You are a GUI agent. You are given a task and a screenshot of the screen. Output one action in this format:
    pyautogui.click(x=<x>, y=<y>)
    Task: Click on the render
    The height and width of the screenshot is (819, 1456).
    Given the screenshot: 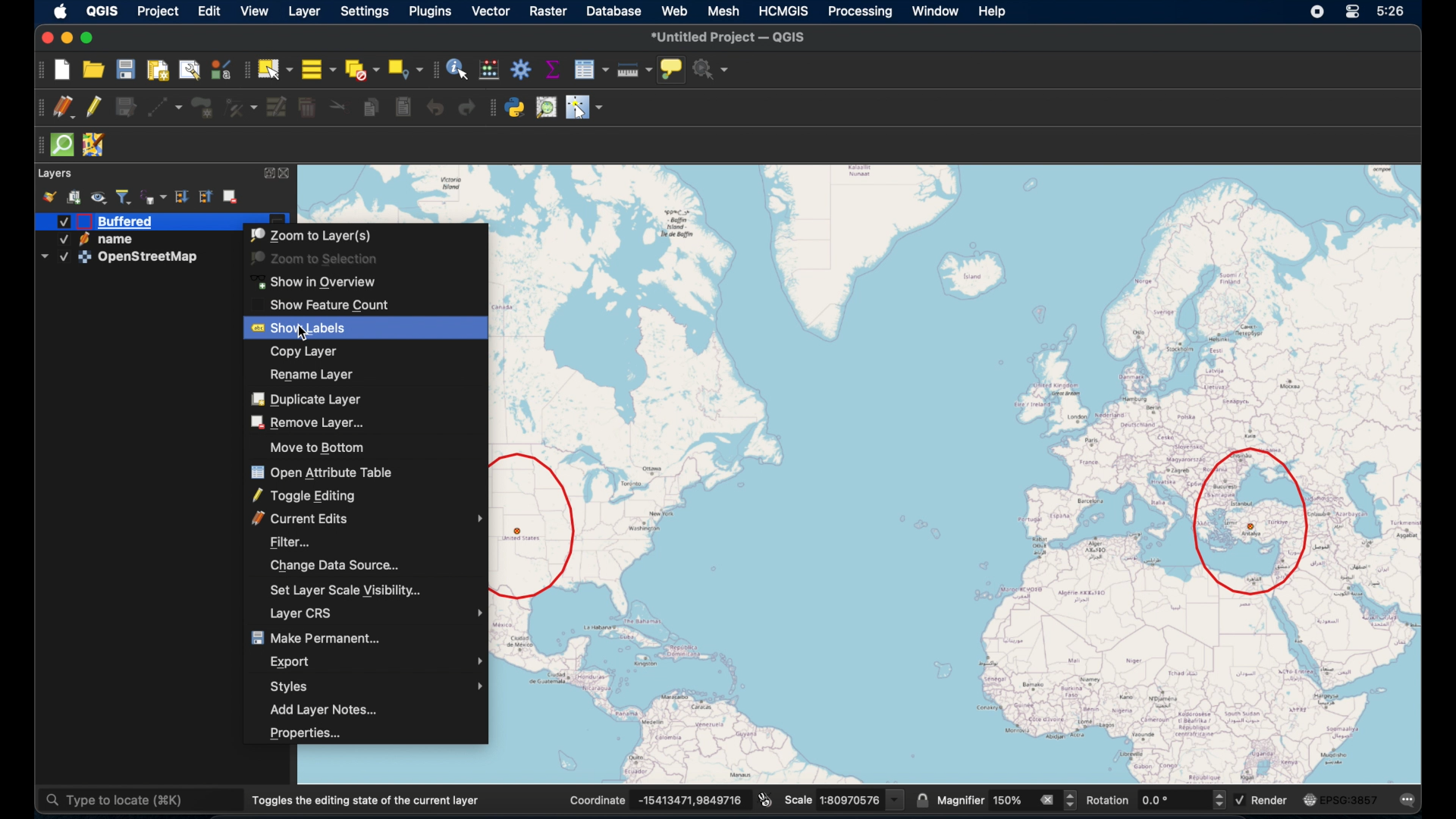 What is the action you would take?
    pyautogui.click(x=1270, y=799)
    